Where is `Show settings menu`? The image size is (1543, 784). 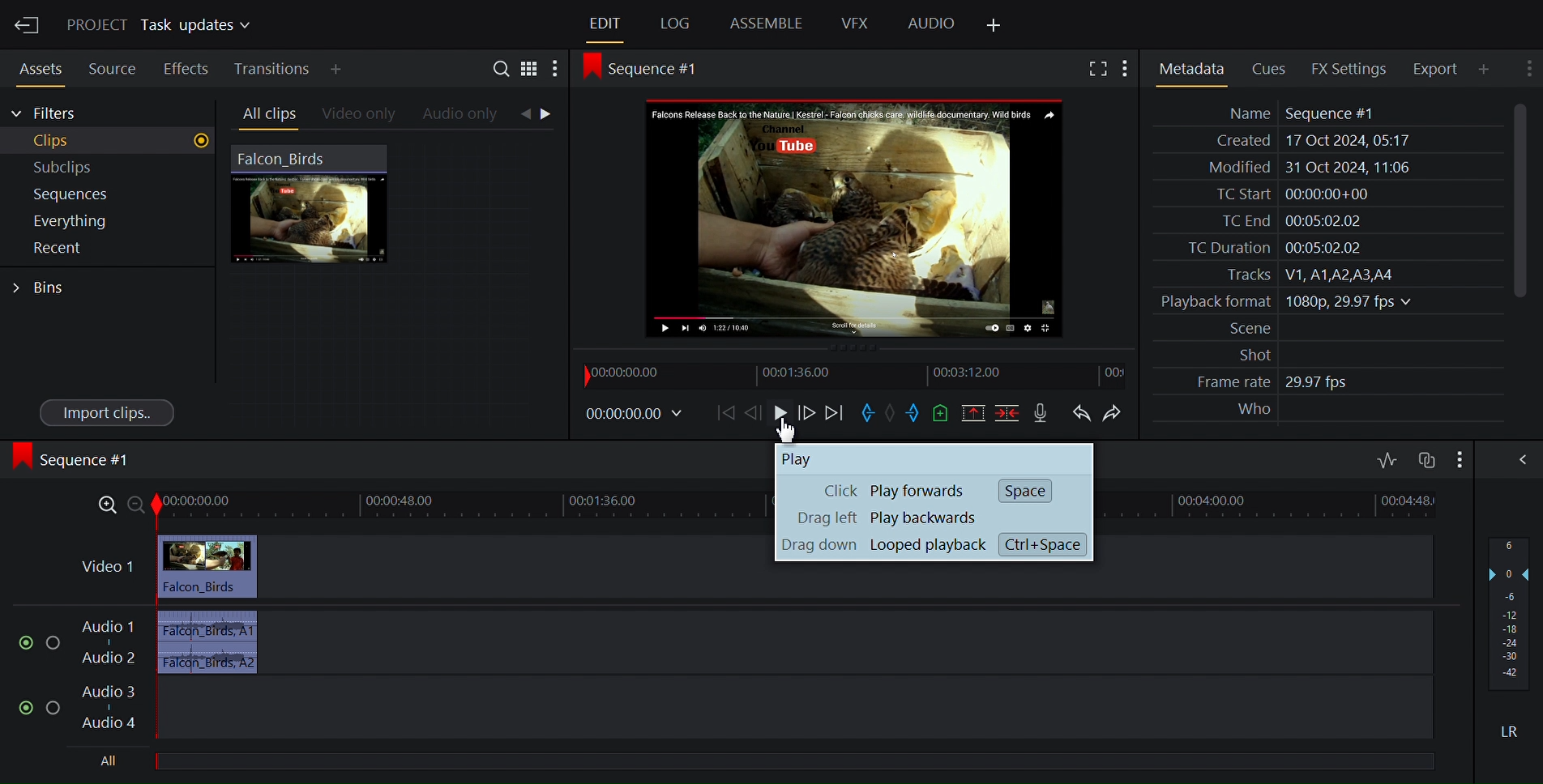
Show settings menu is located at coordinates (557, 67).